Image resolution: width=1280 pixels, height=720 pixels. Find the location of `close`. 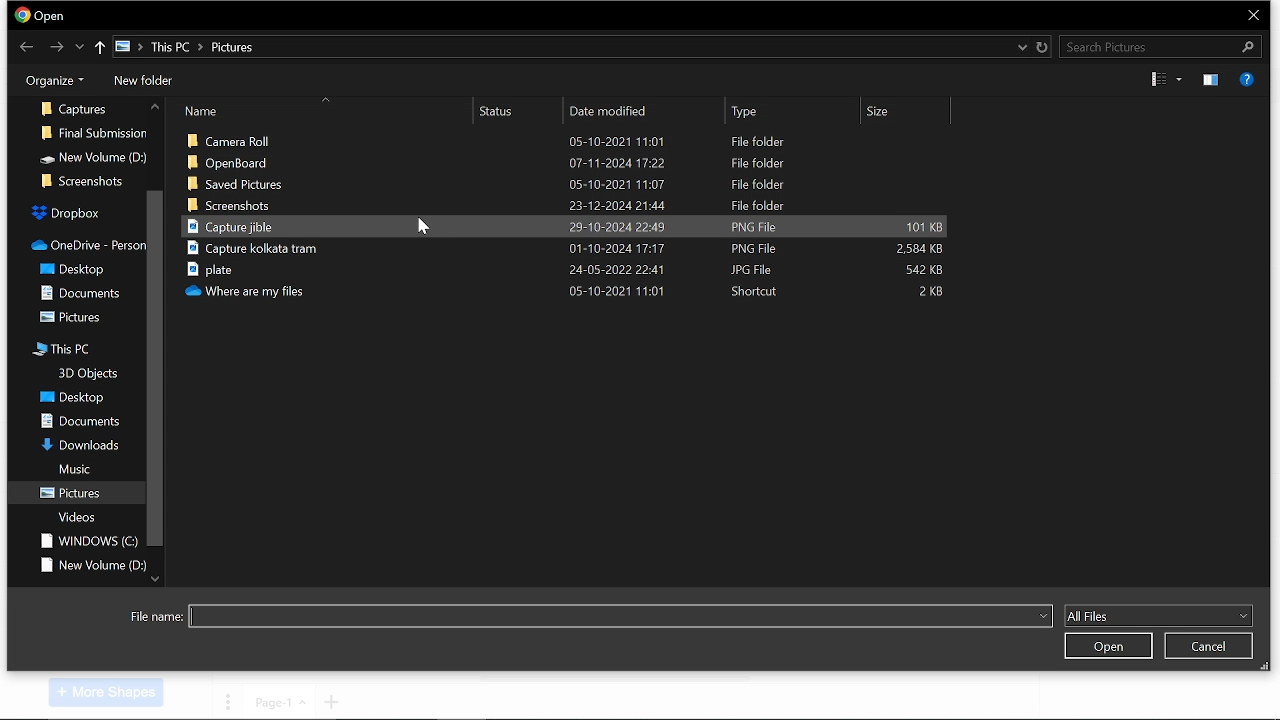

close is located at coordinates (1254, 15).